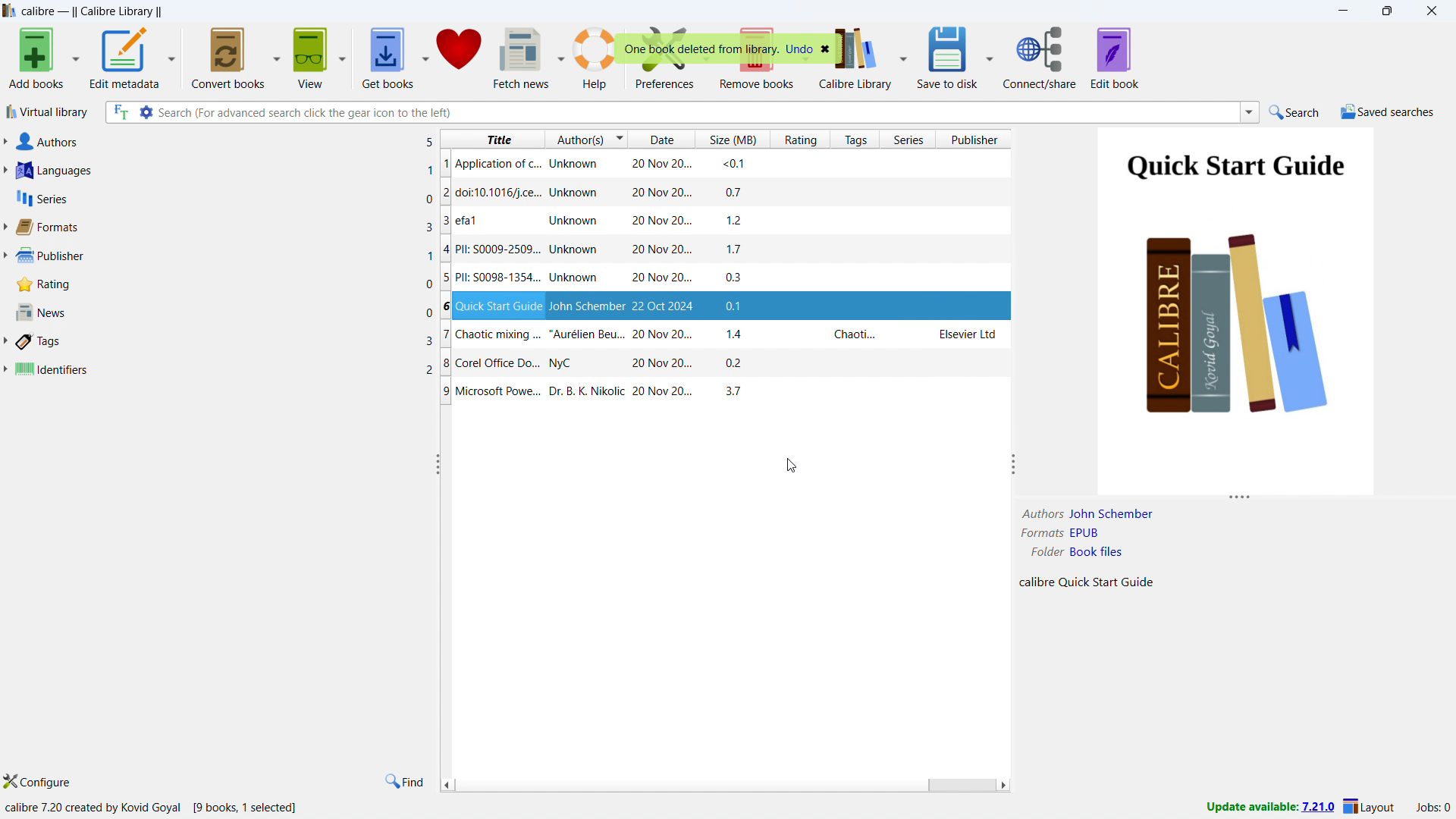  Describe the element at coordinates (583, 139) in the screenshot. I see `sort by authors` at that location.